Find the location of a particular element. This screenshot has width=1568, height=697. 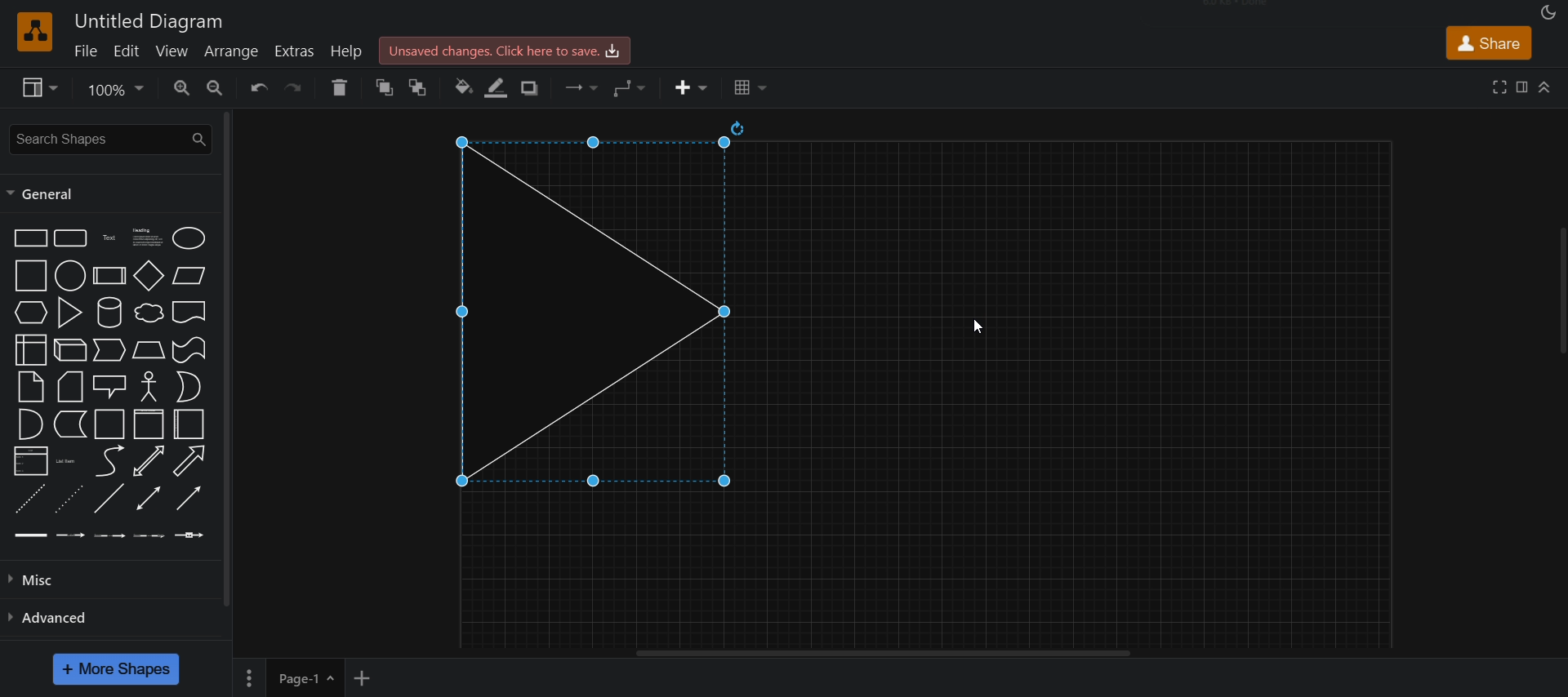

dashed line is located at coordinates (30, 498).